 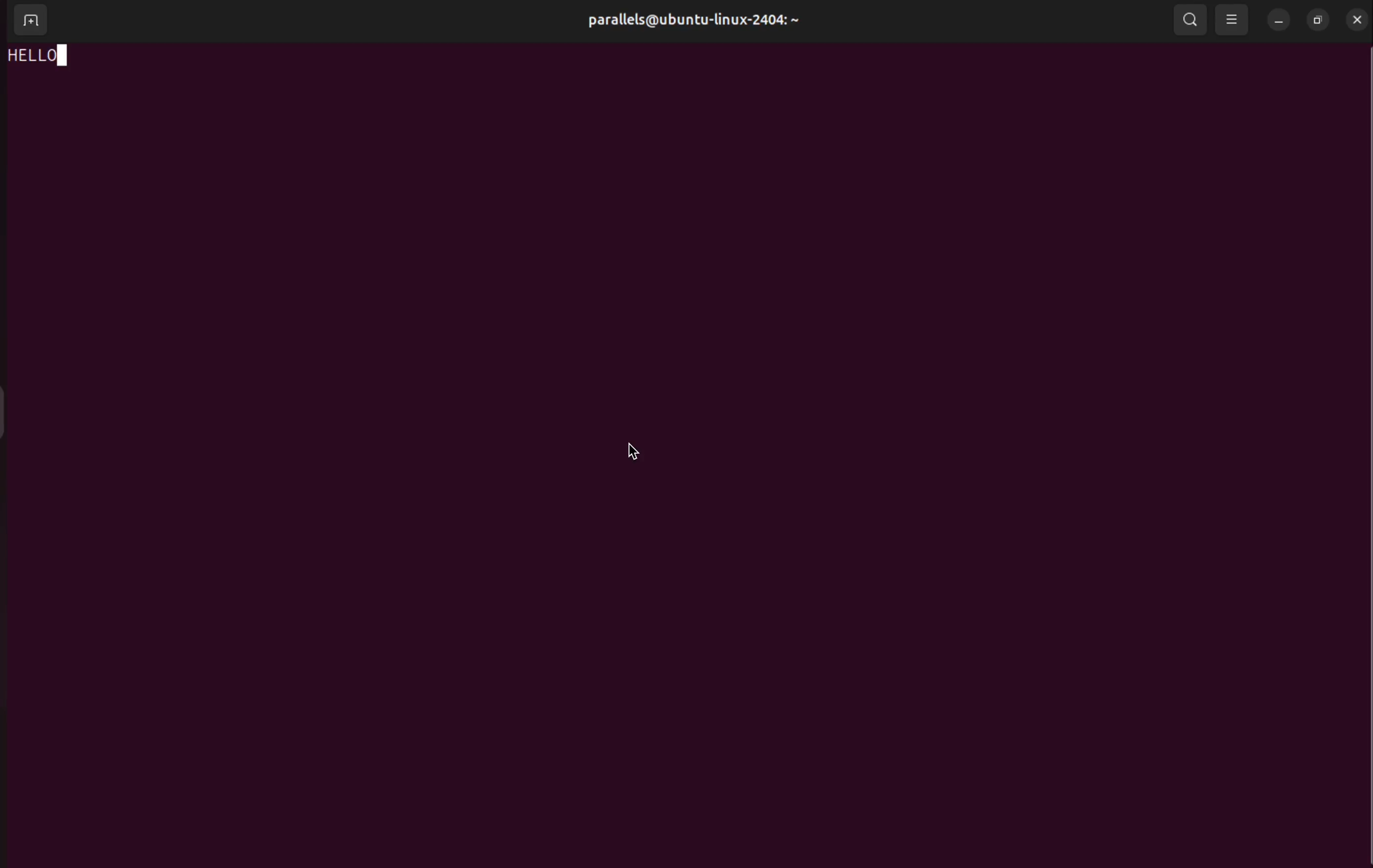 What do you see at coordinates (720, 21) in the screenshot?
I see `username` at bounding box center [720, 21].